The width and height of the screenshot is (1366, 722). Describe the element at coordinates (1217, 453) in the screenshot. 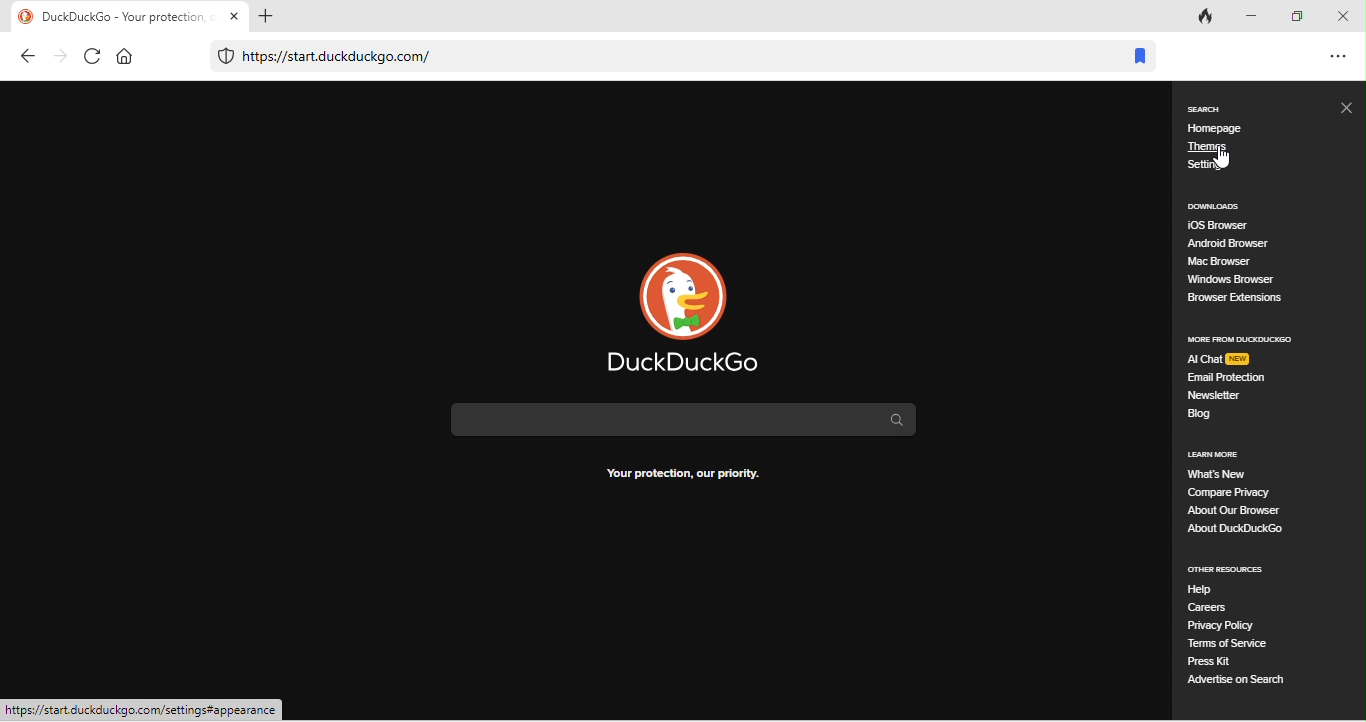

I see `learn more` at that location.